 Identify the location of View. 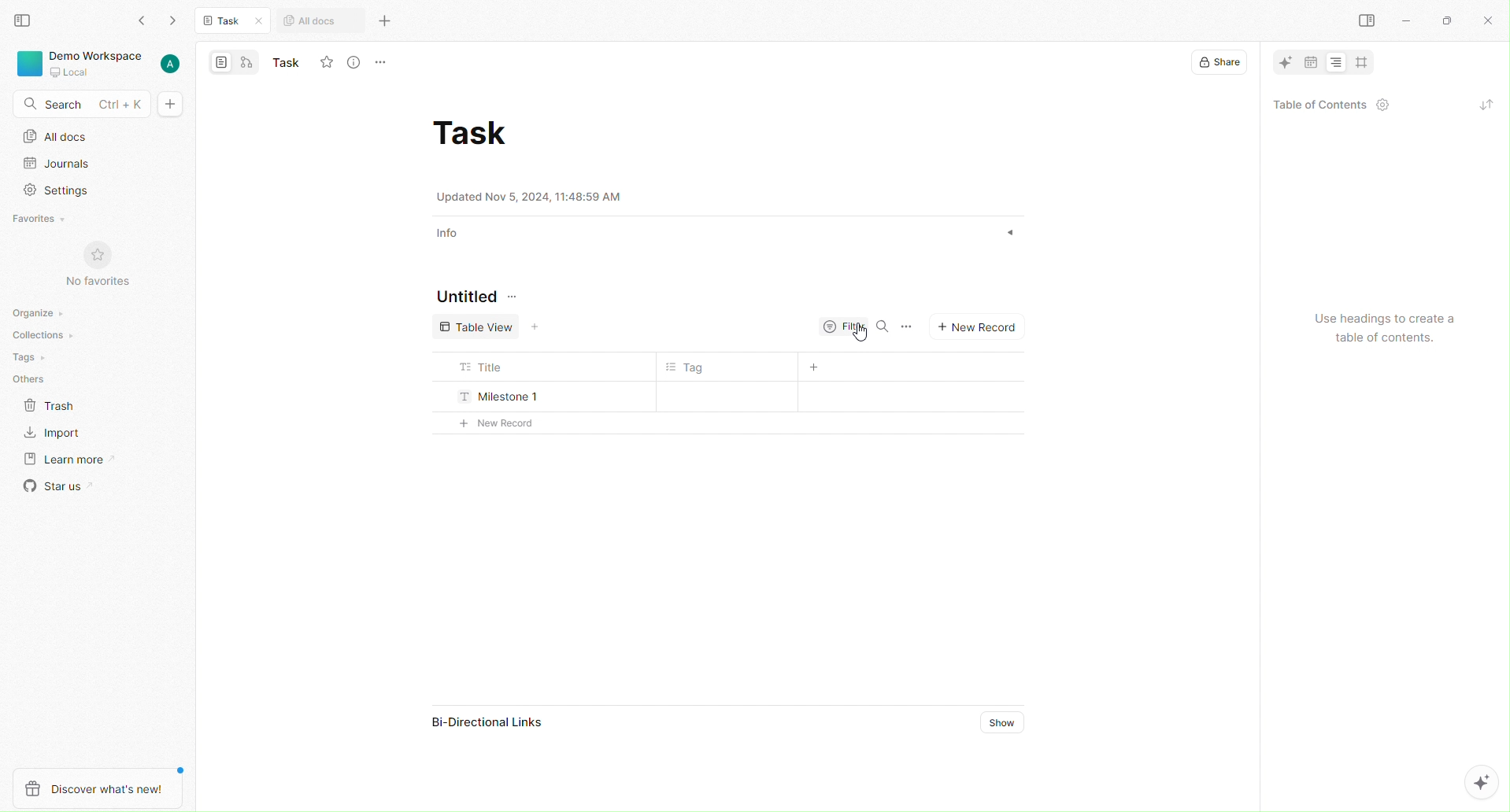
(20, 21).